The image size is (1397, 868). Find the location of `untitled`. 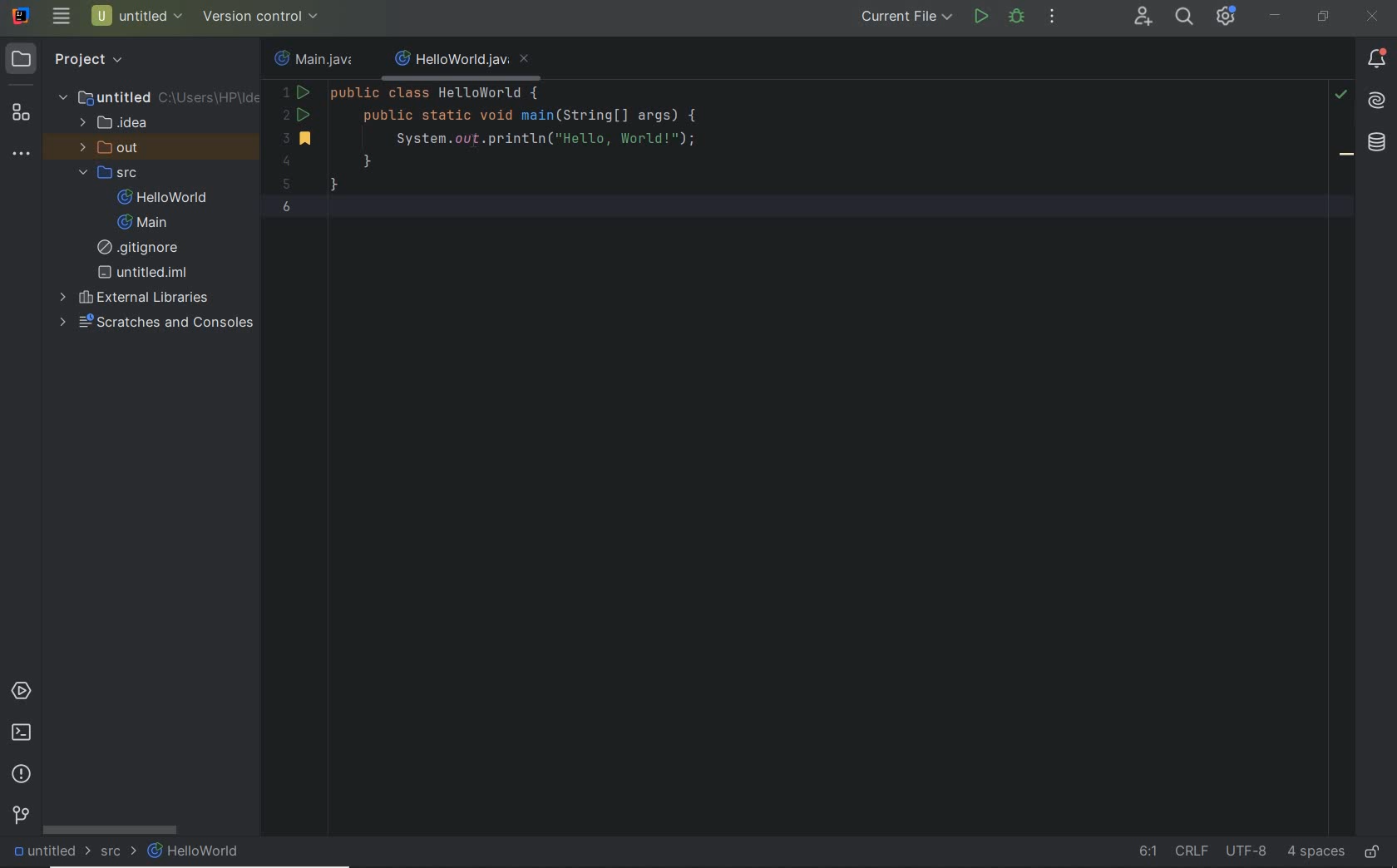

untitled is located at coordinates (47, 850).